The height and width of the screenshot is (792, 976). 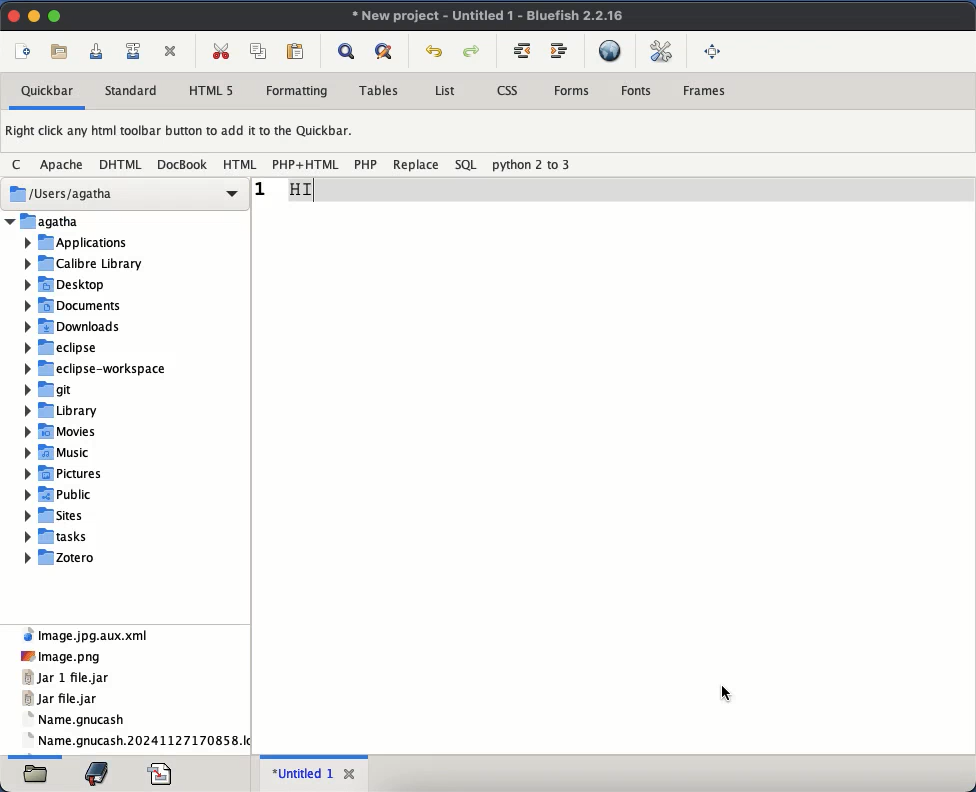 What do you see at coordinates (61, 347) in the screenshot?
I see `eclipse` at bounding box center [61, 347].